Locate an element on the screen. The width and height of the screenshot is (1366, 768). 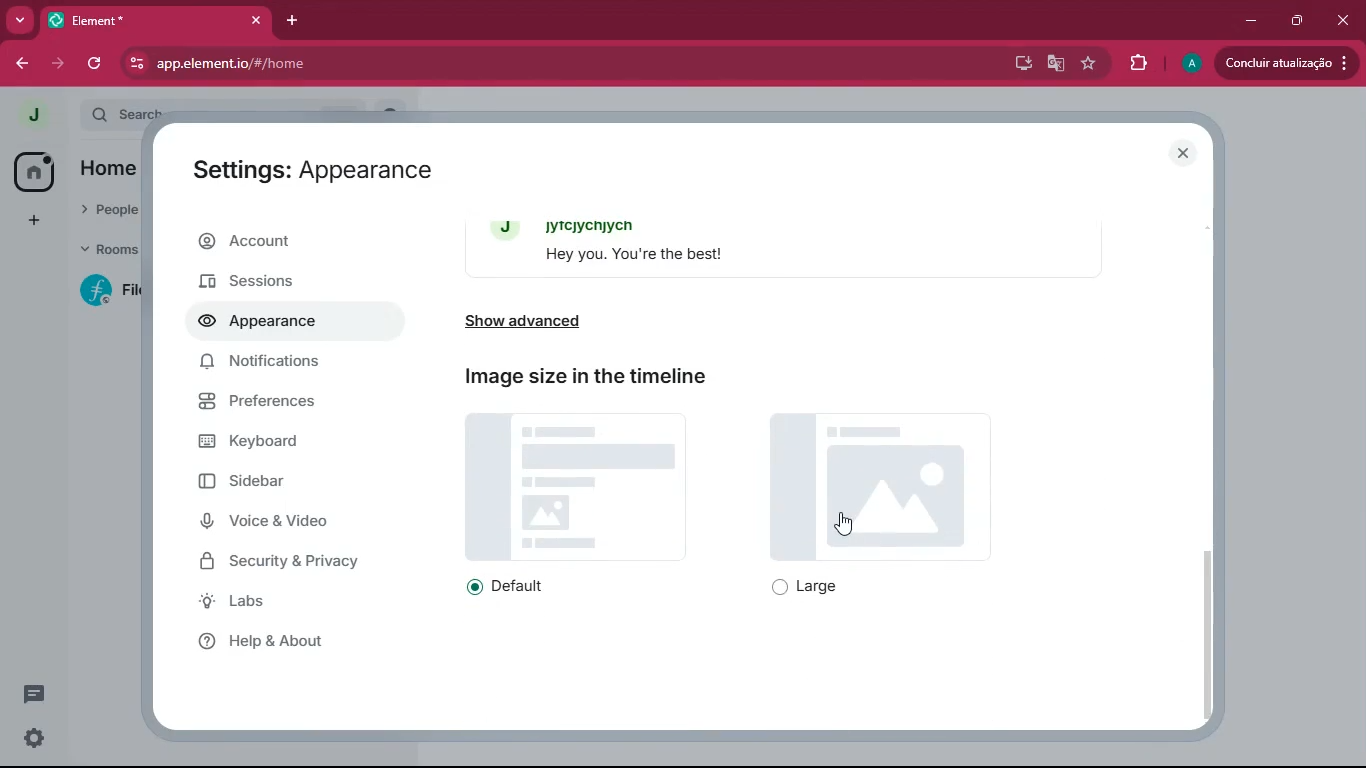
Image size in the timeline is located at coordinates (588, 376).